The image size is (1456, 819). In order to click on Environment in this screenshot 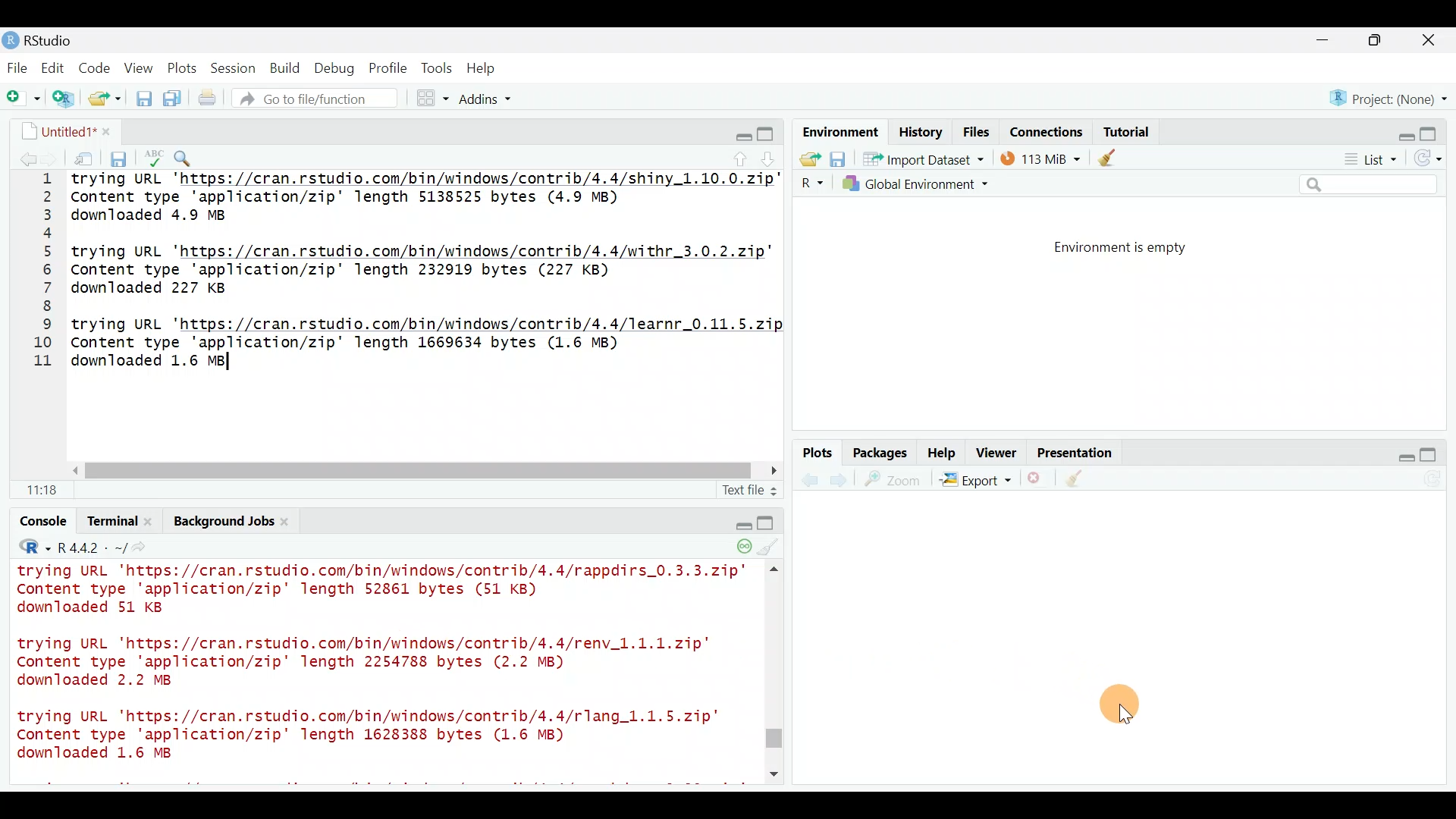, I will do `click(838, 131)`.